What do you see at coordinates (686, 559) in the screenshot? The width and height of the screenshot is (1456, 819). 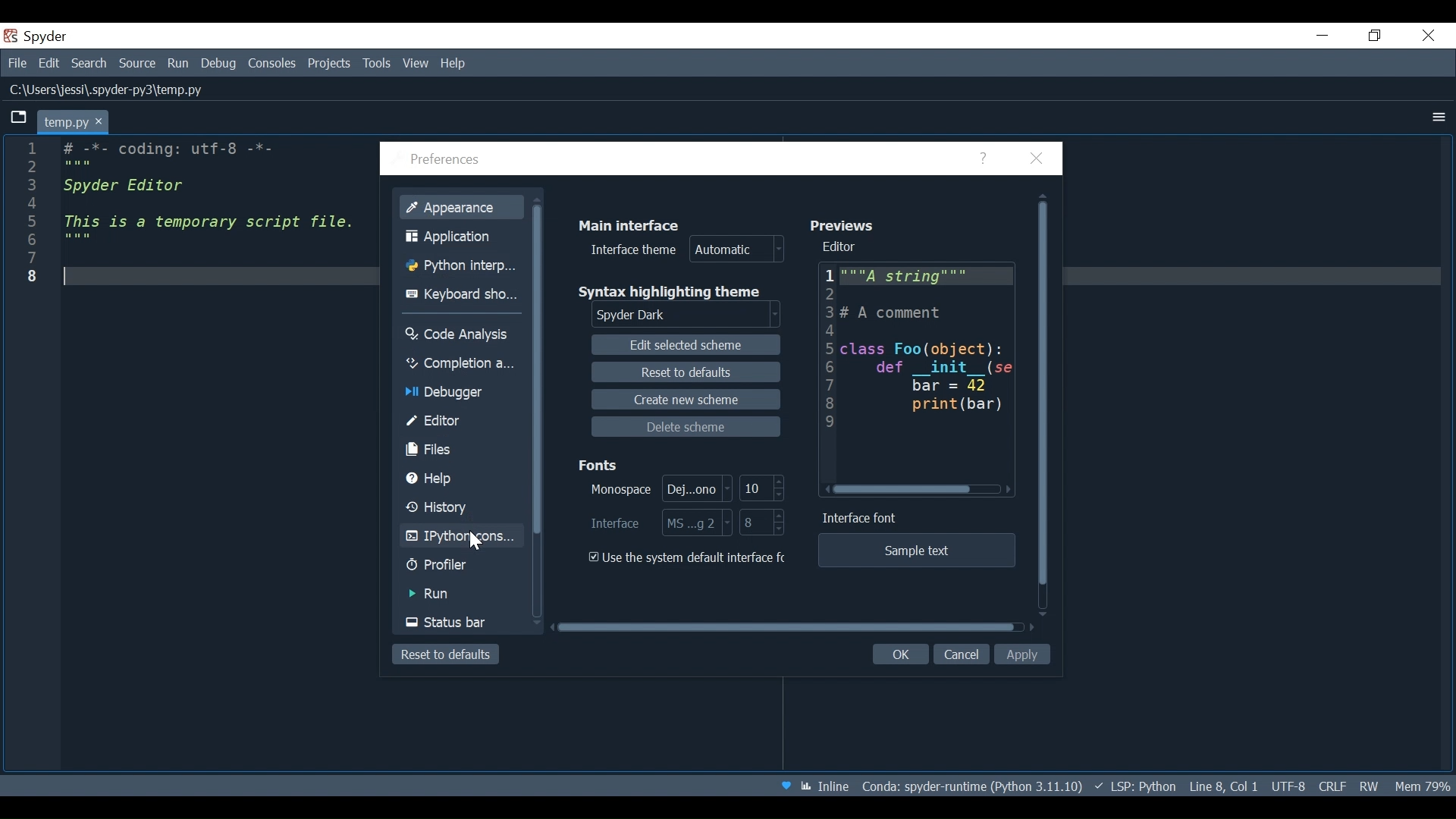 I see `(un)check the system default interface font` at bounding box center [686, 559].